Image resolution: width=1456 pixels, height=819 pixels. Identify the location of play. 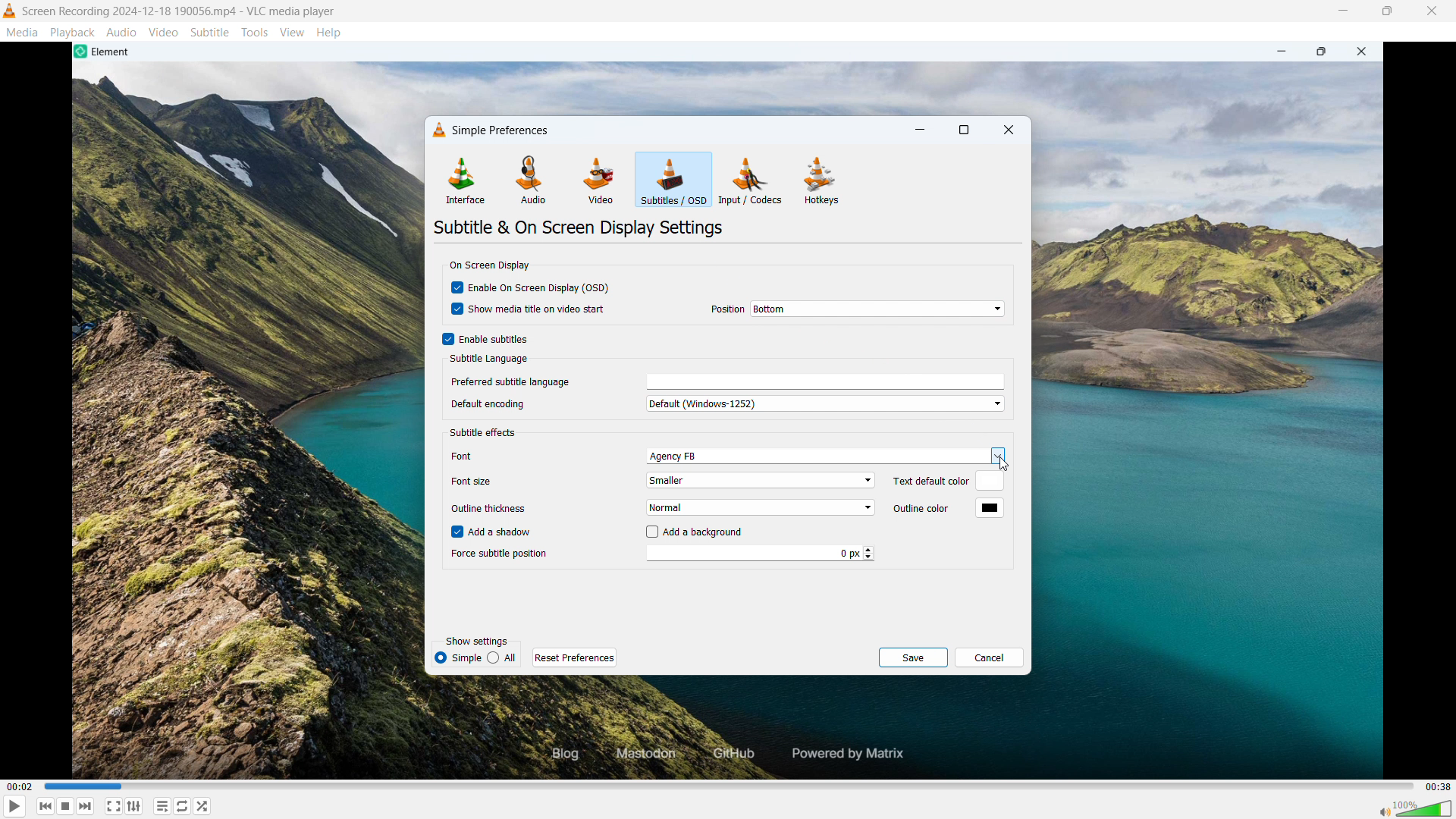
(15, 806).